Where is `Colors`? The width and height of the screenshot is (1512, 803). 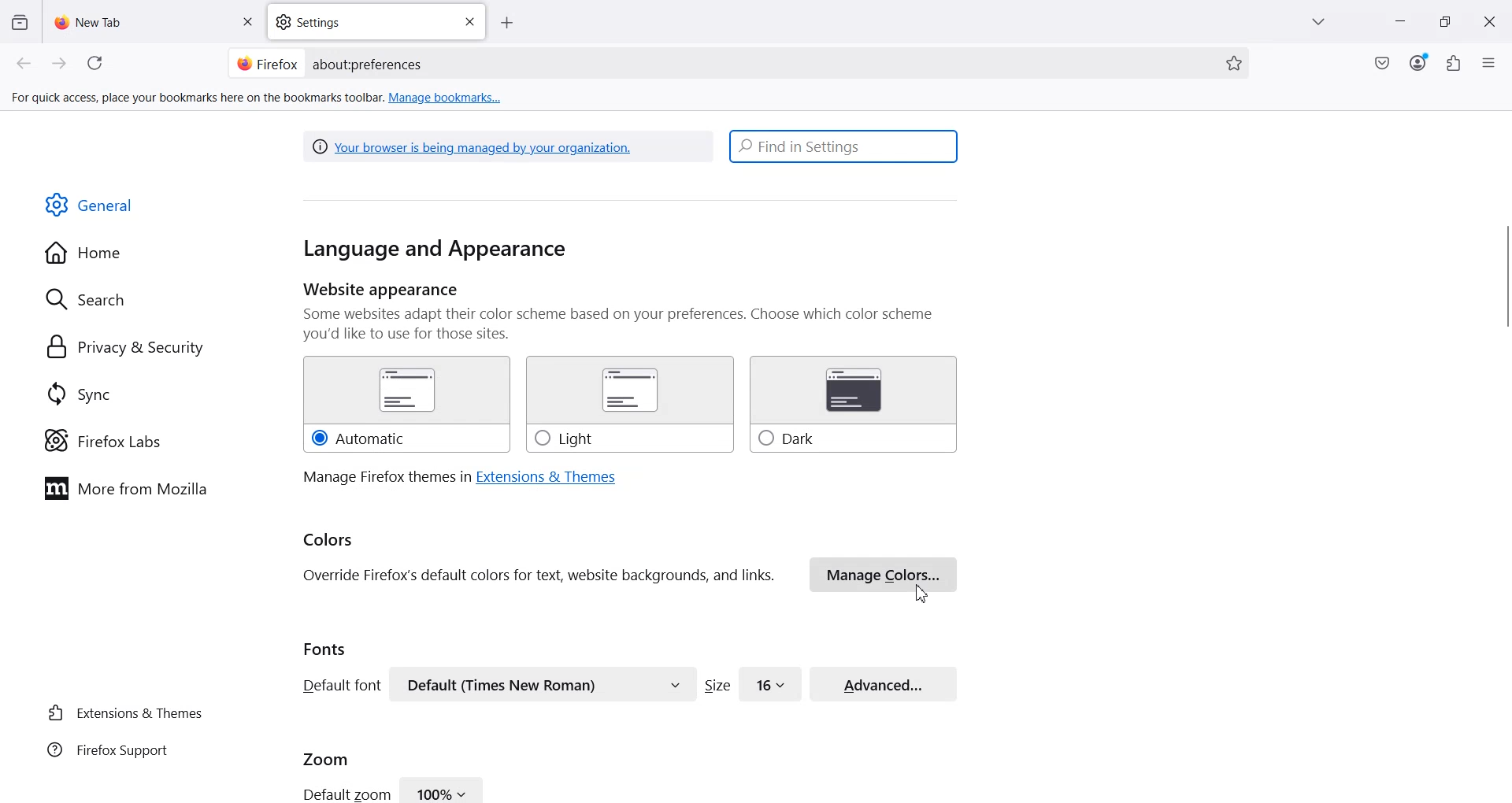 Colors is located at coordinates (329, 541).